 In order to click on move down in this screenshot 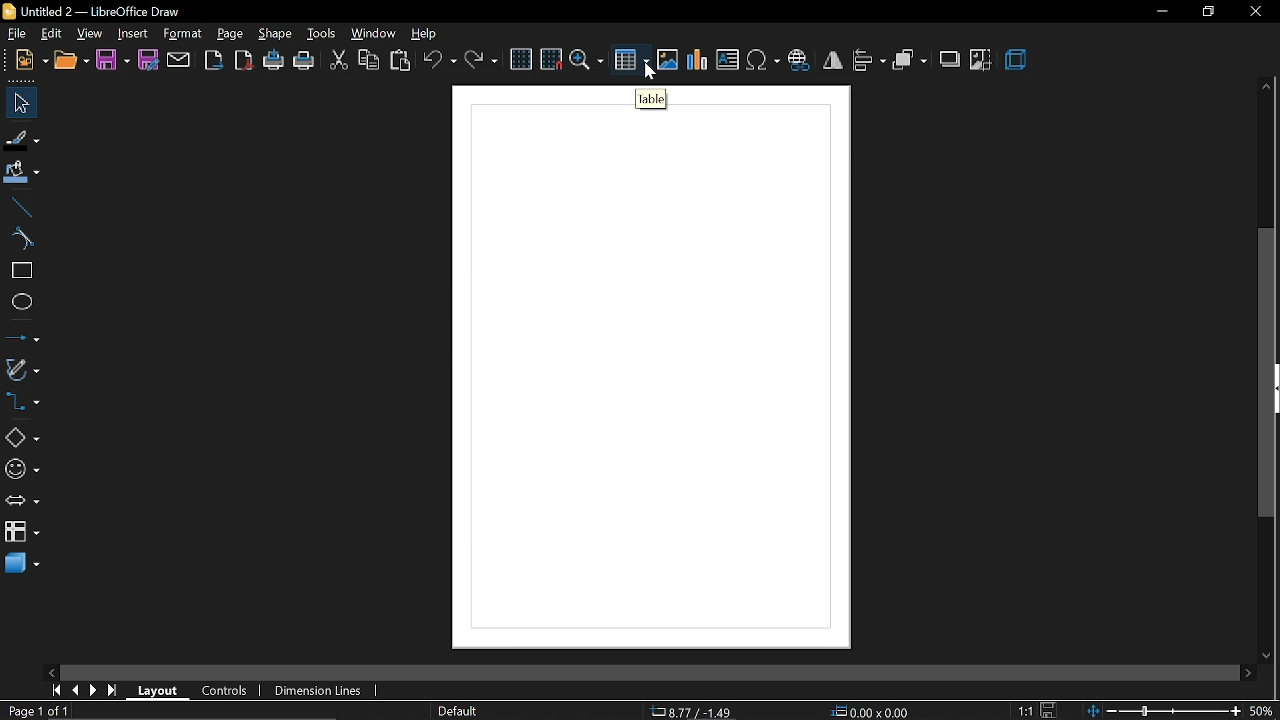, I will do `click(1266, 655)`.